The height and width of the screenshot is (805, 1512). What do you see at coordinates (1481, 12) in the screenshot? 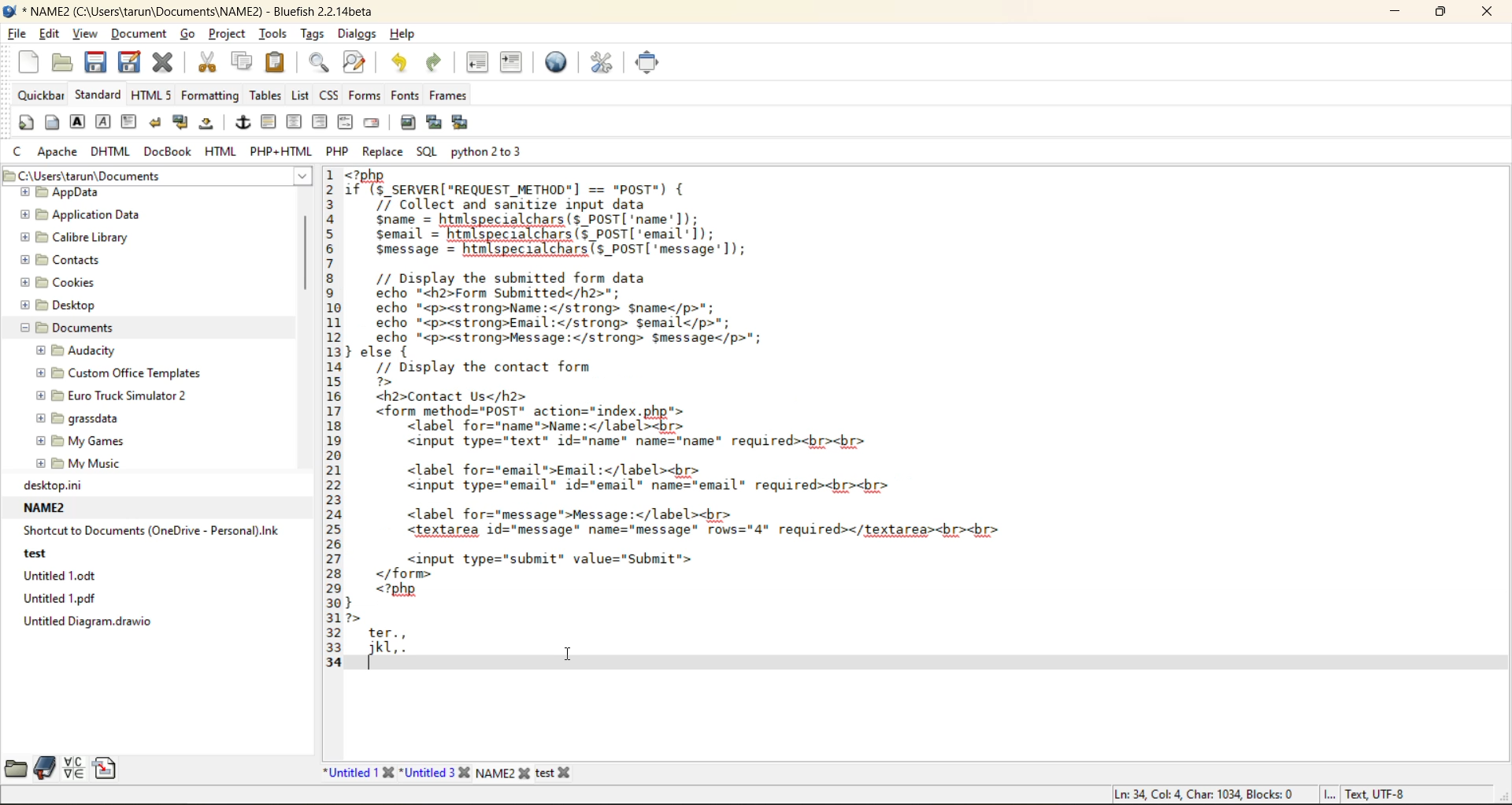
I see `close` at bounding box center [1481, 12].